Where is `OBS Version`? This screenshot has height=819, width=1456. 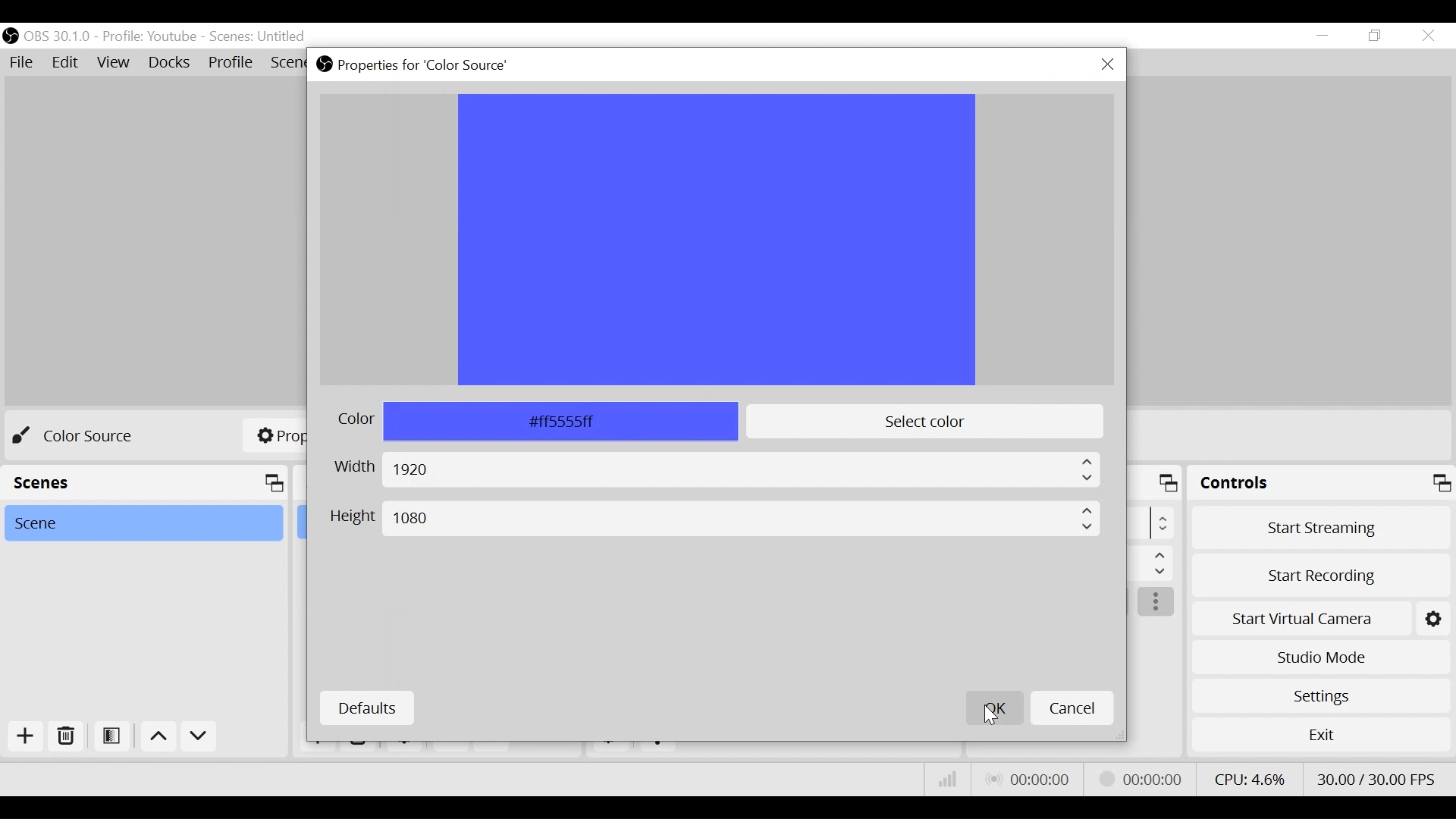
OBS Version is located at coordinates (58, 36).